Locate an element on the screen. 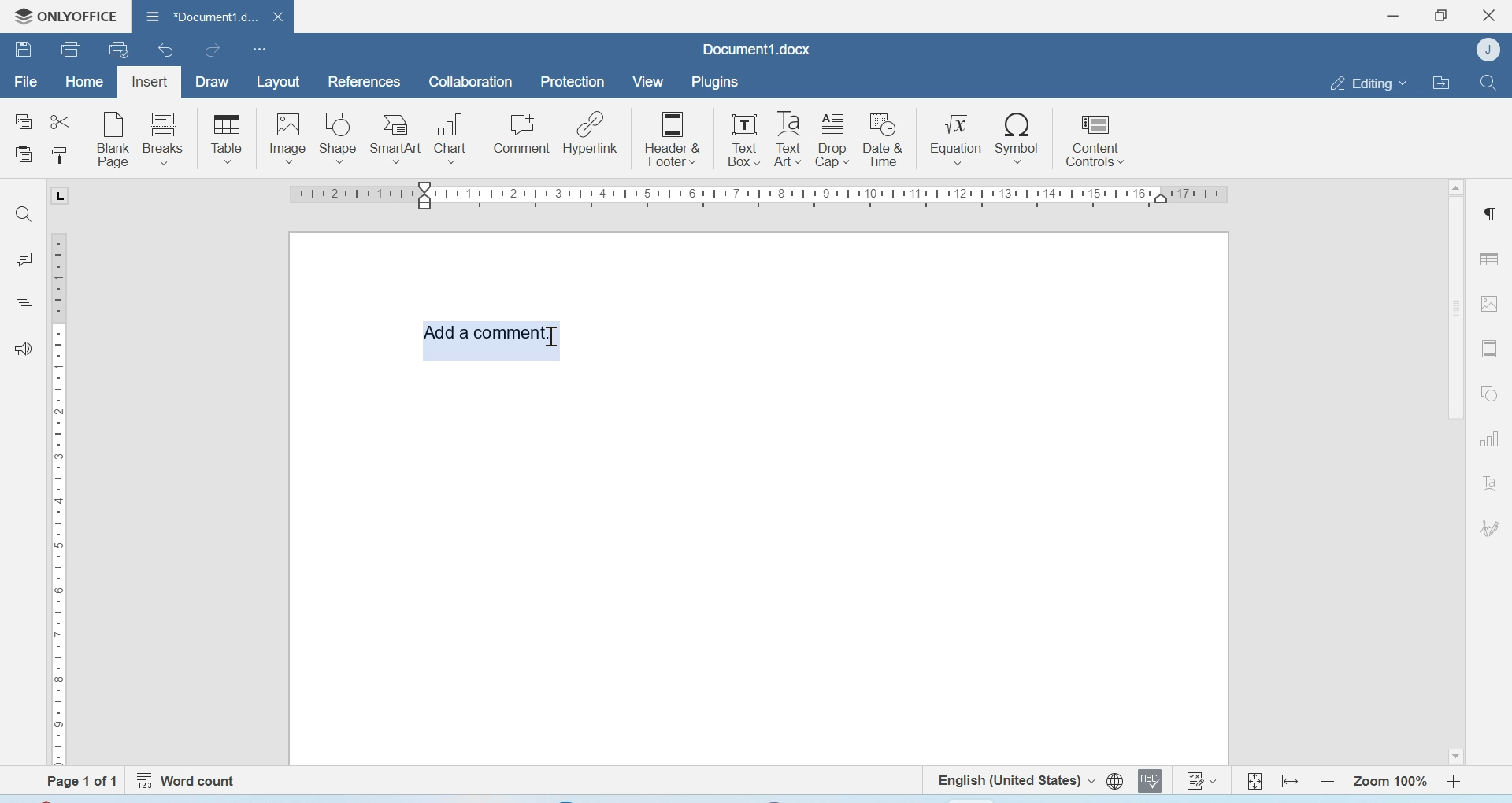 This screenshot has height=803, width=1512. File is located at coordinates (25, 82).